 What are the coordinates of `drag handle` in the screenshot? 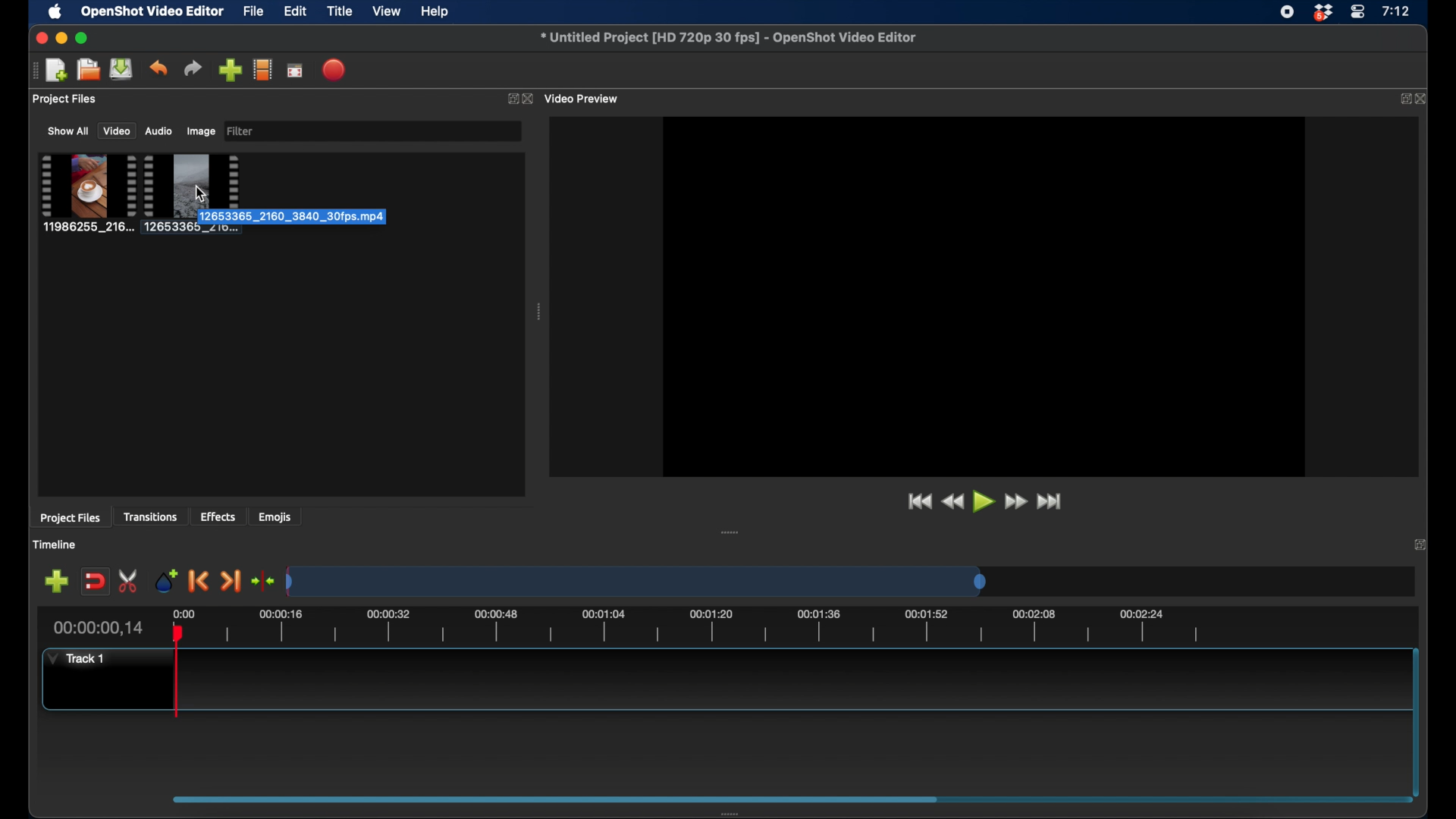 It's located at (538, 312).